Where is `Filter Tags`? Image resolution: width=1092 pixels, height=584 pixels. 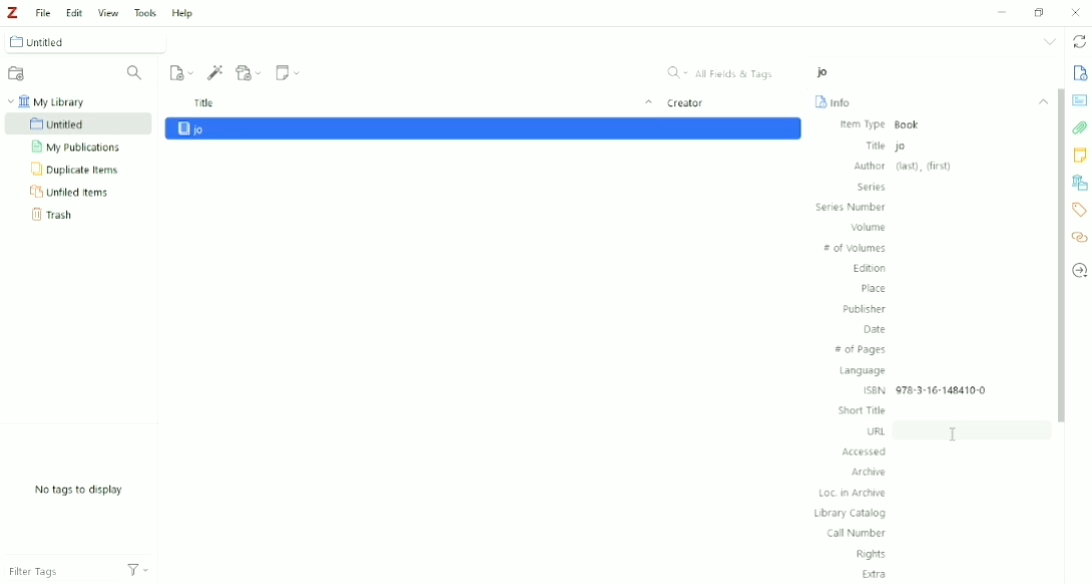
Filter Tags is located at coordinates (77, 571).